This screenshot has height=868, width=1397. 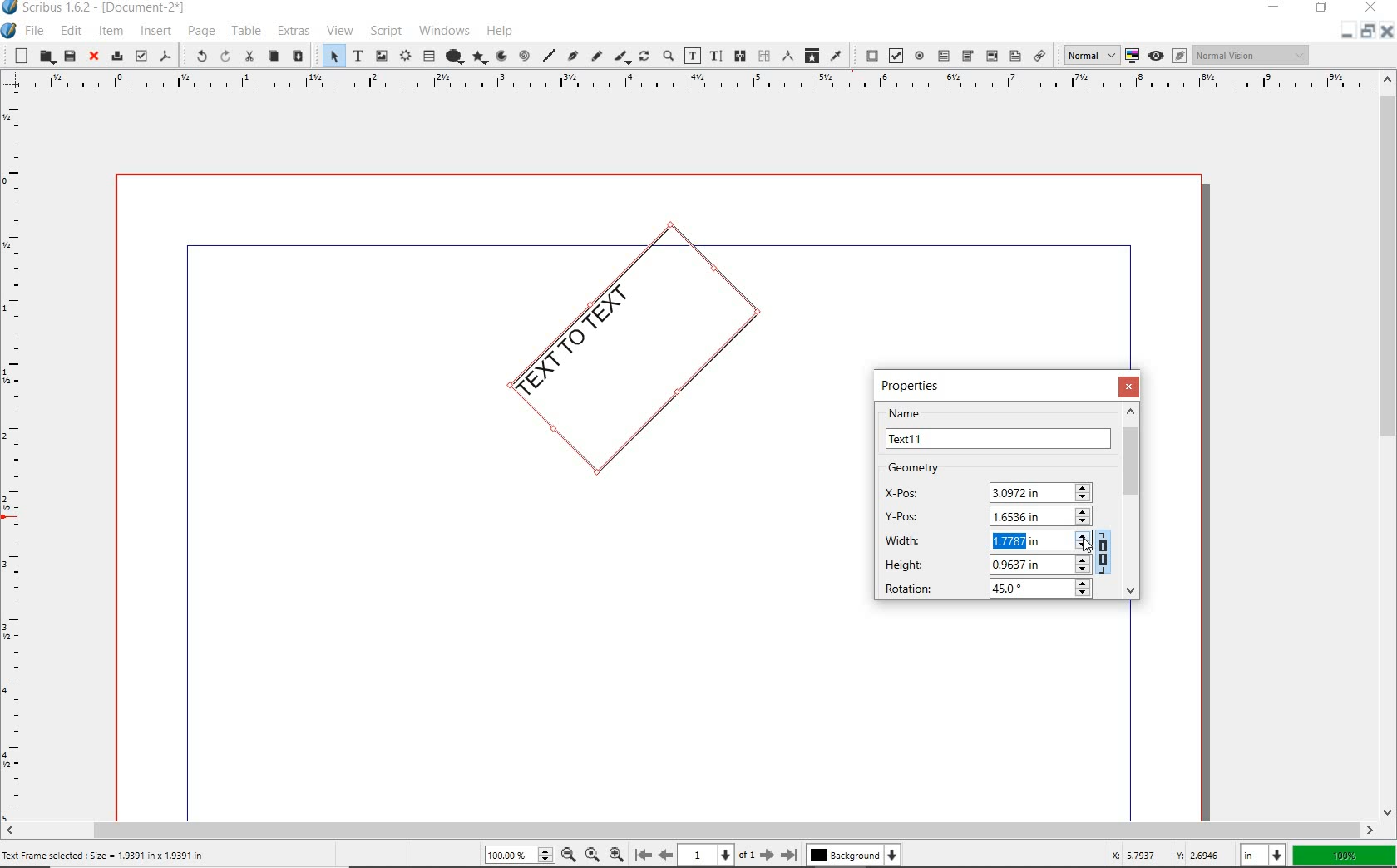 I want to click on move to previous, so click(x=665, y=856).